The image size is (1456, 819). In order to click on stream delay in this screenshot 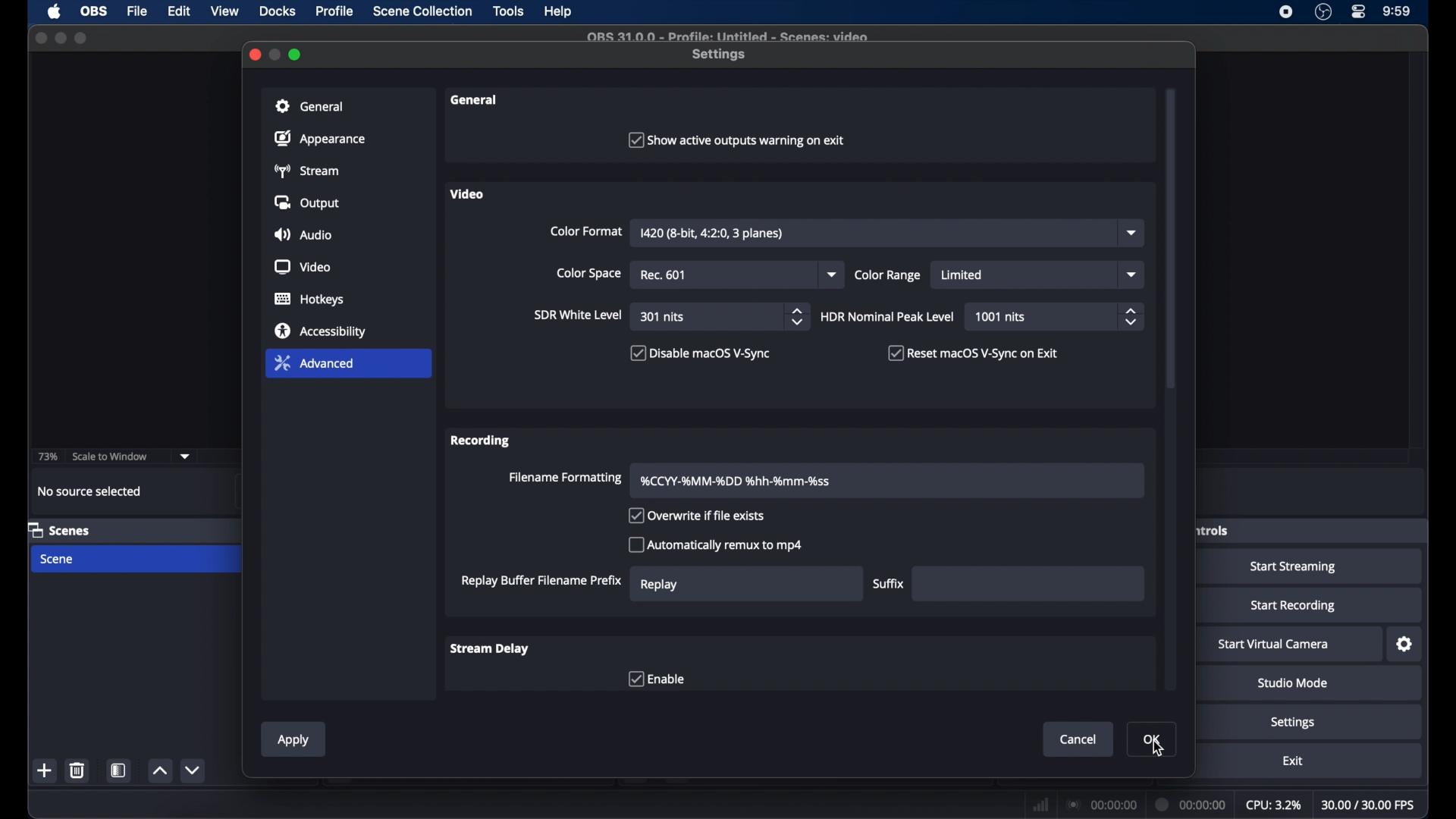, I will do `click(490, 648)`.